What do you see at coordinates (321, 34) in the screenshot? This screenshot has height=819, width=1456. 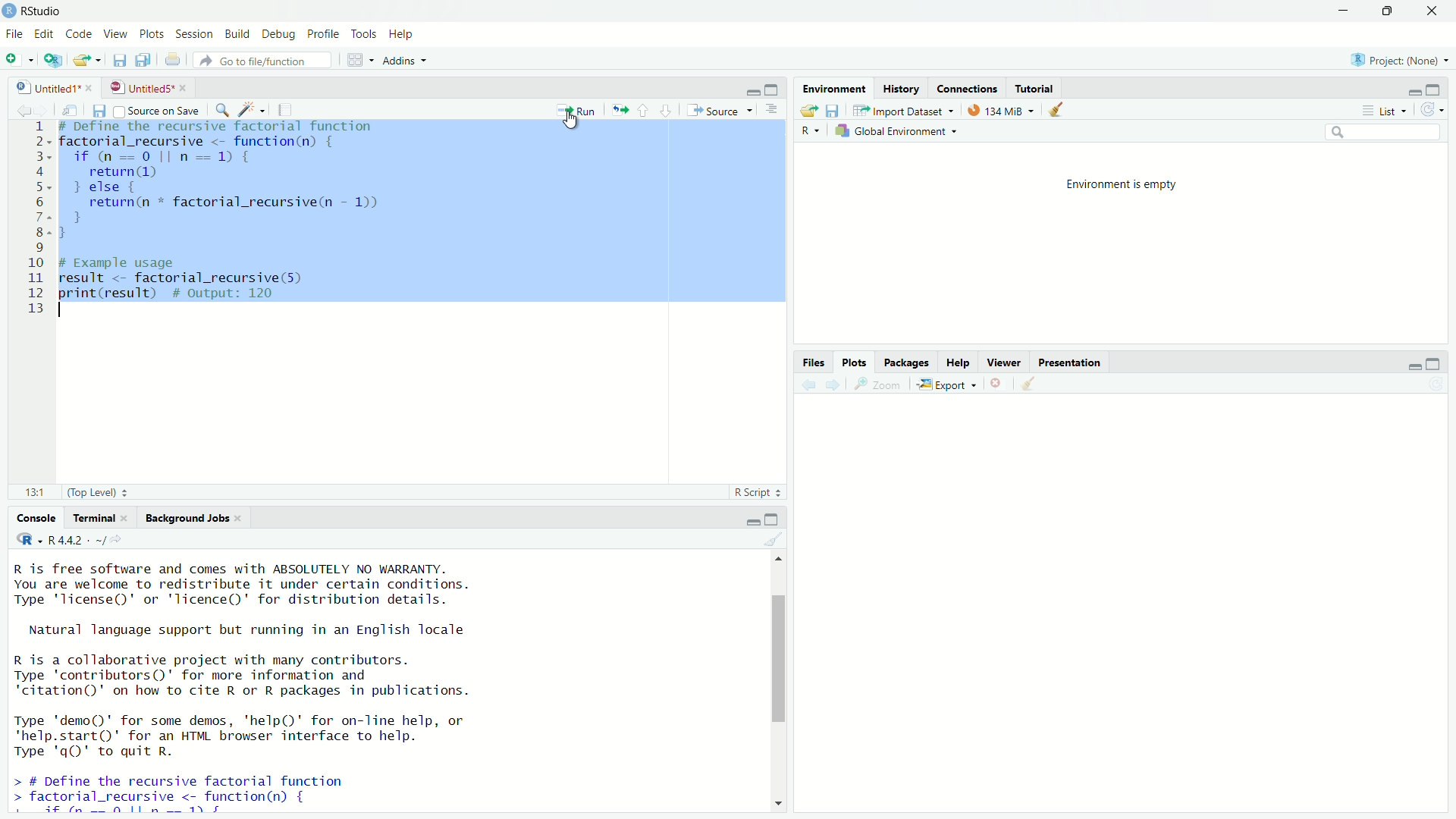 I see `Profile` at bounding box center [321, 34].